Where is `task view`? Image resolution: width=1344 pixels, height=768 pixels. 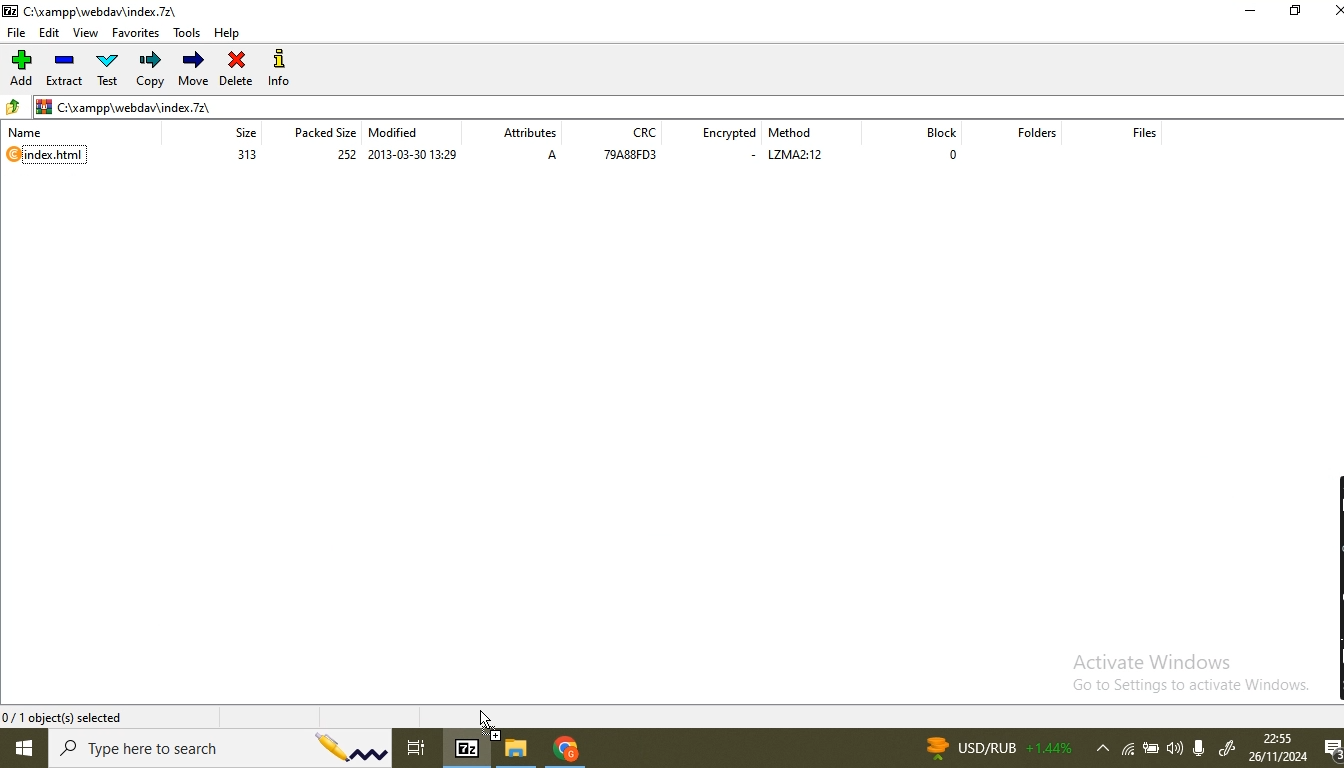
task view is located at coordinates (421, 745).